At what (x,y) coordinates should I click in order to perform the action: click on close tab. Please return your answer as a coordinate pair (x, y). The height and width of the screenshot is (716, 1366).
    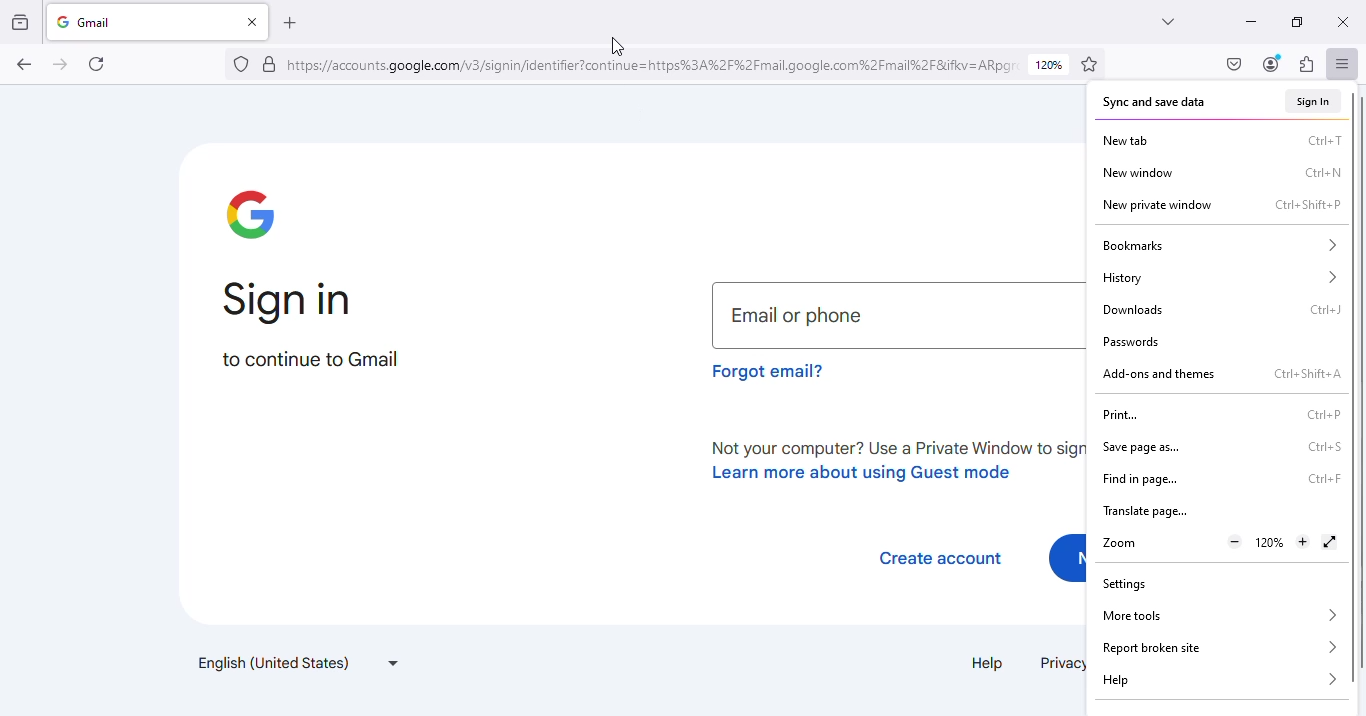
    Looking at the image, I should click on (254, 21).